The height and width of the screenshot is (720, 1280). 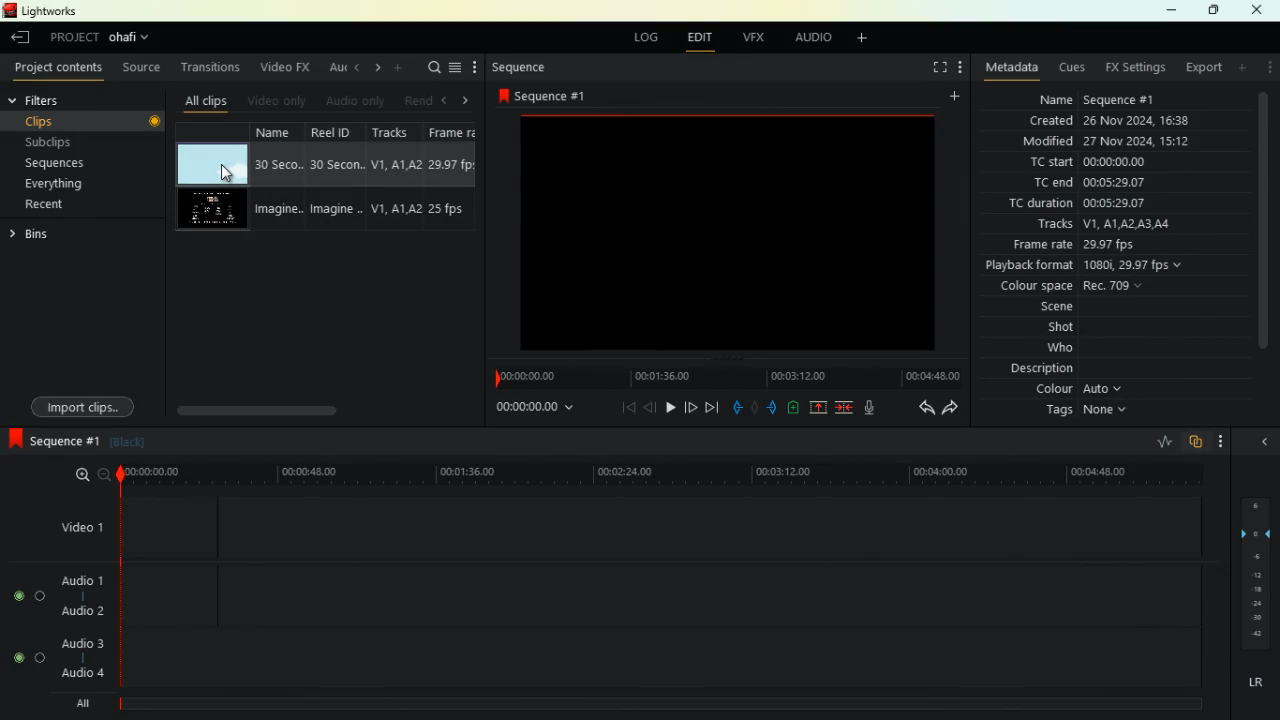 What do you see at coordinates (26, 658) in the screenshot?
I see `on` at bounding box center [26, 658].